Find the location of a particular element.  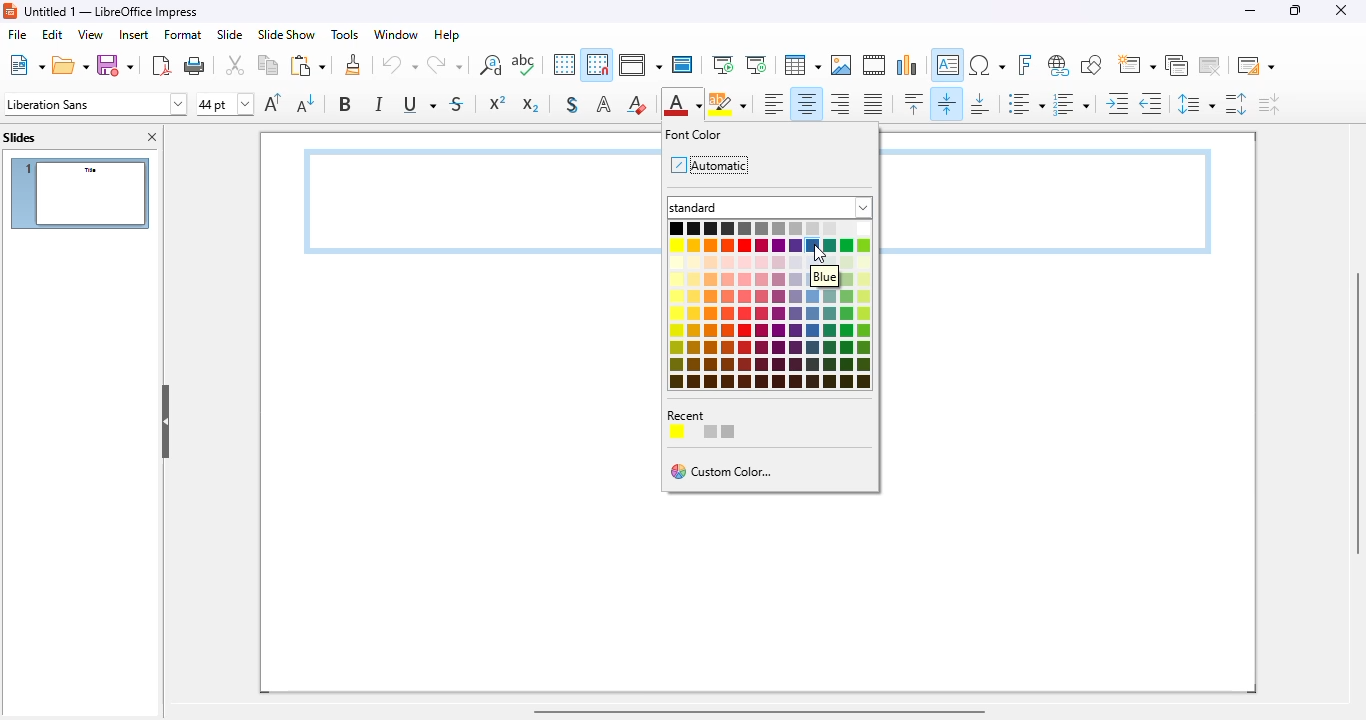

justified is located at coordinates (873, 104).